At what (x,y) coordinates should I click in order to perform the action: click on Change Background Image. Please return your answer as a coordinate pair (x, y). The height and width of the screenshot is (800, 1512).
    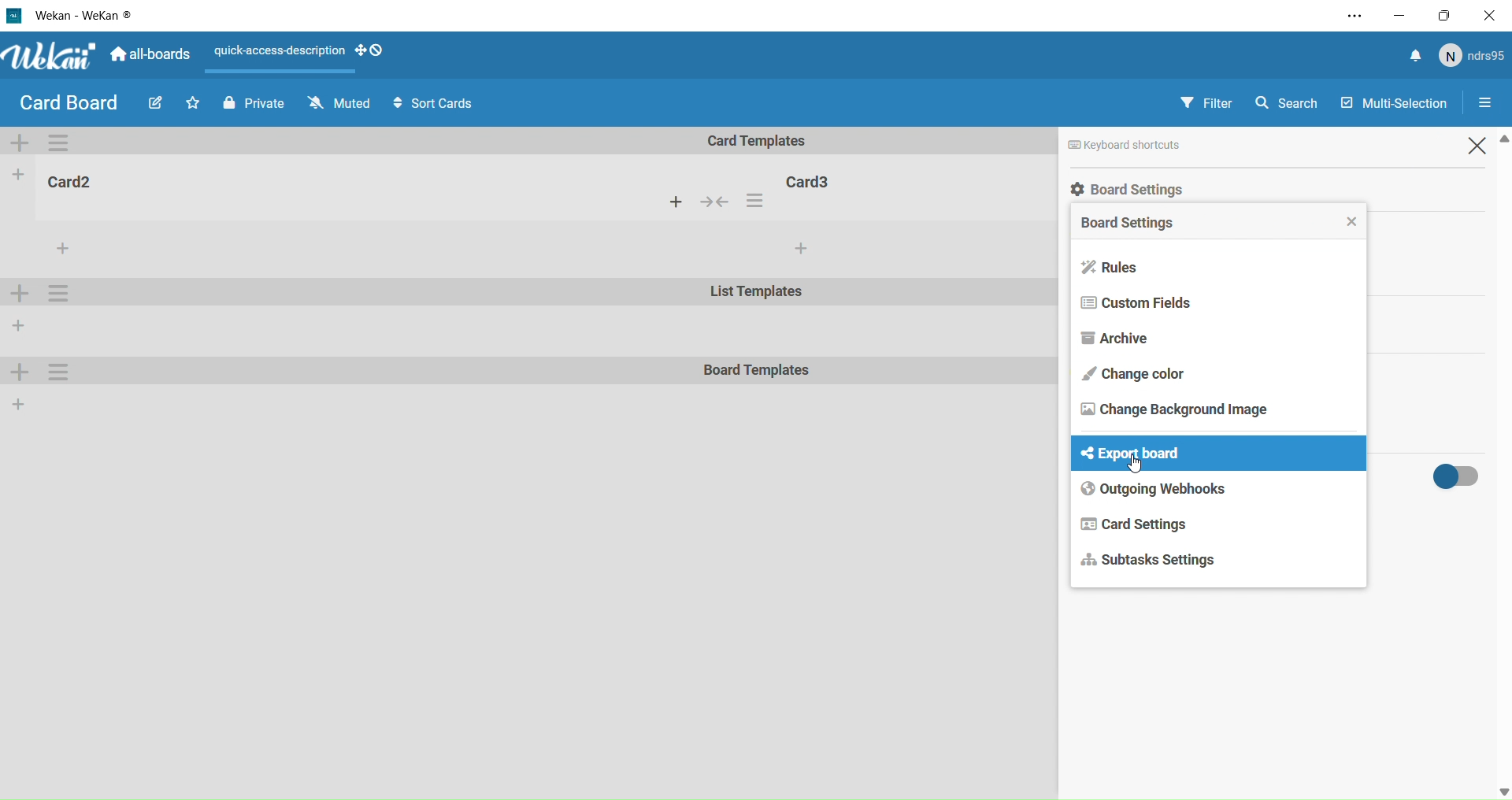
    Looking at the image, I should click on (1186, 416).